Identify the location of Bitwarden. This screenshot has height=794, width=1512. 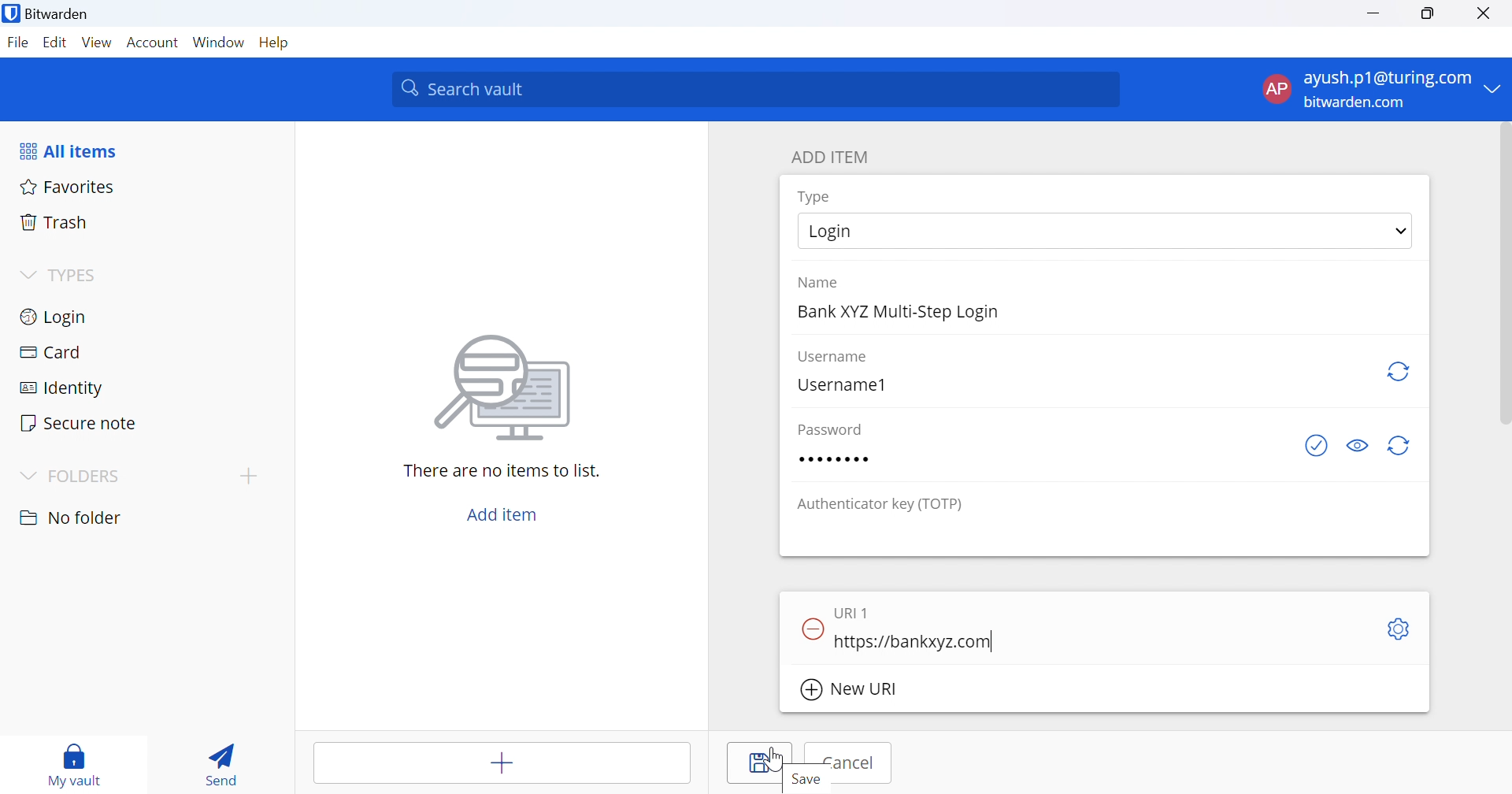
(50, 17).